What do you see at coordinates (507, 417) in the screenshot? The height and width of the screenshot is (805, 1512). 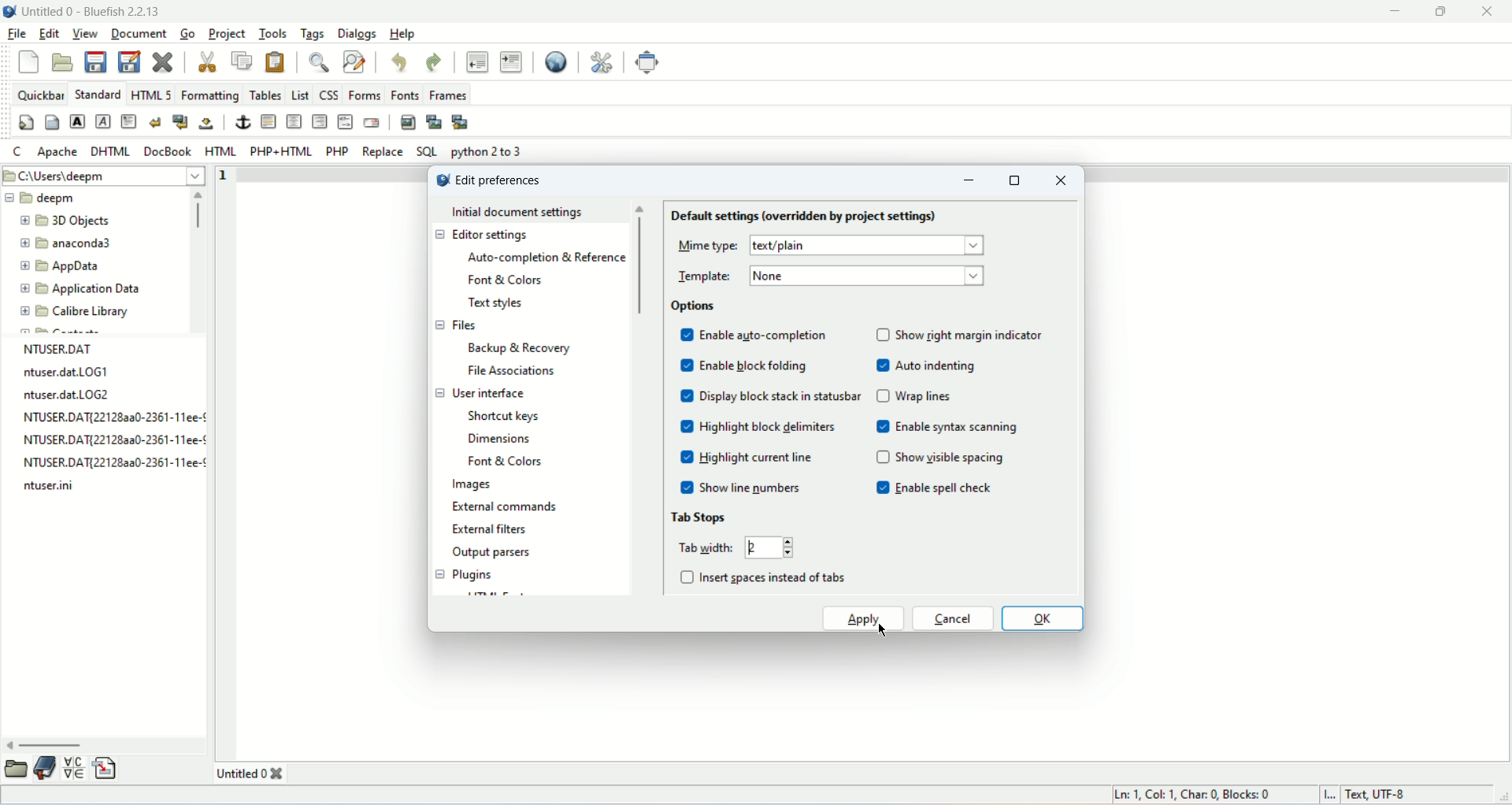 I see `shortcut keys` at bounding box center [507, 417].